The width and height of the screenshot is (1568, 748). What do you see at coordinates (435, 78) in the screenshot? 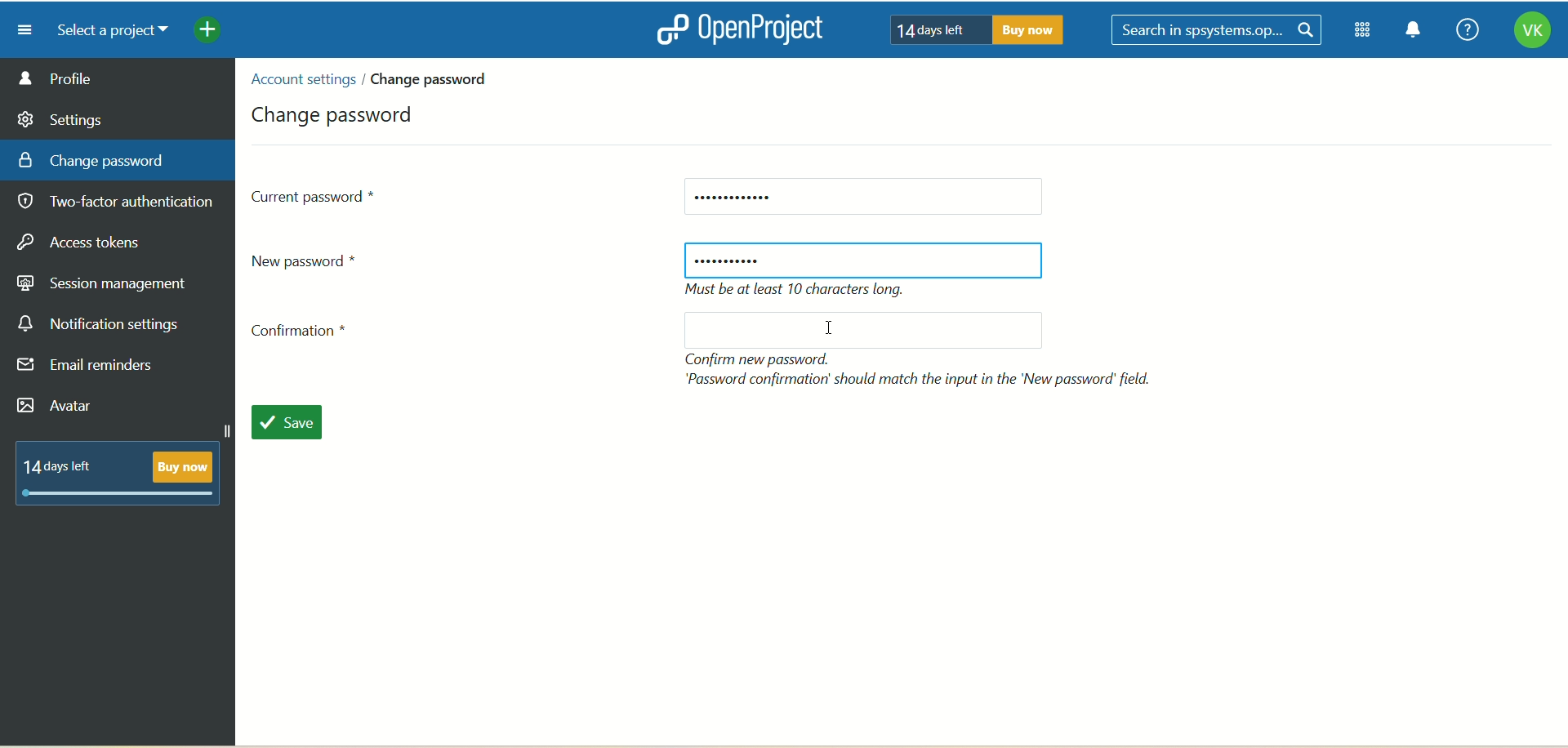
I see `change password` at bounding box center [435, 78].